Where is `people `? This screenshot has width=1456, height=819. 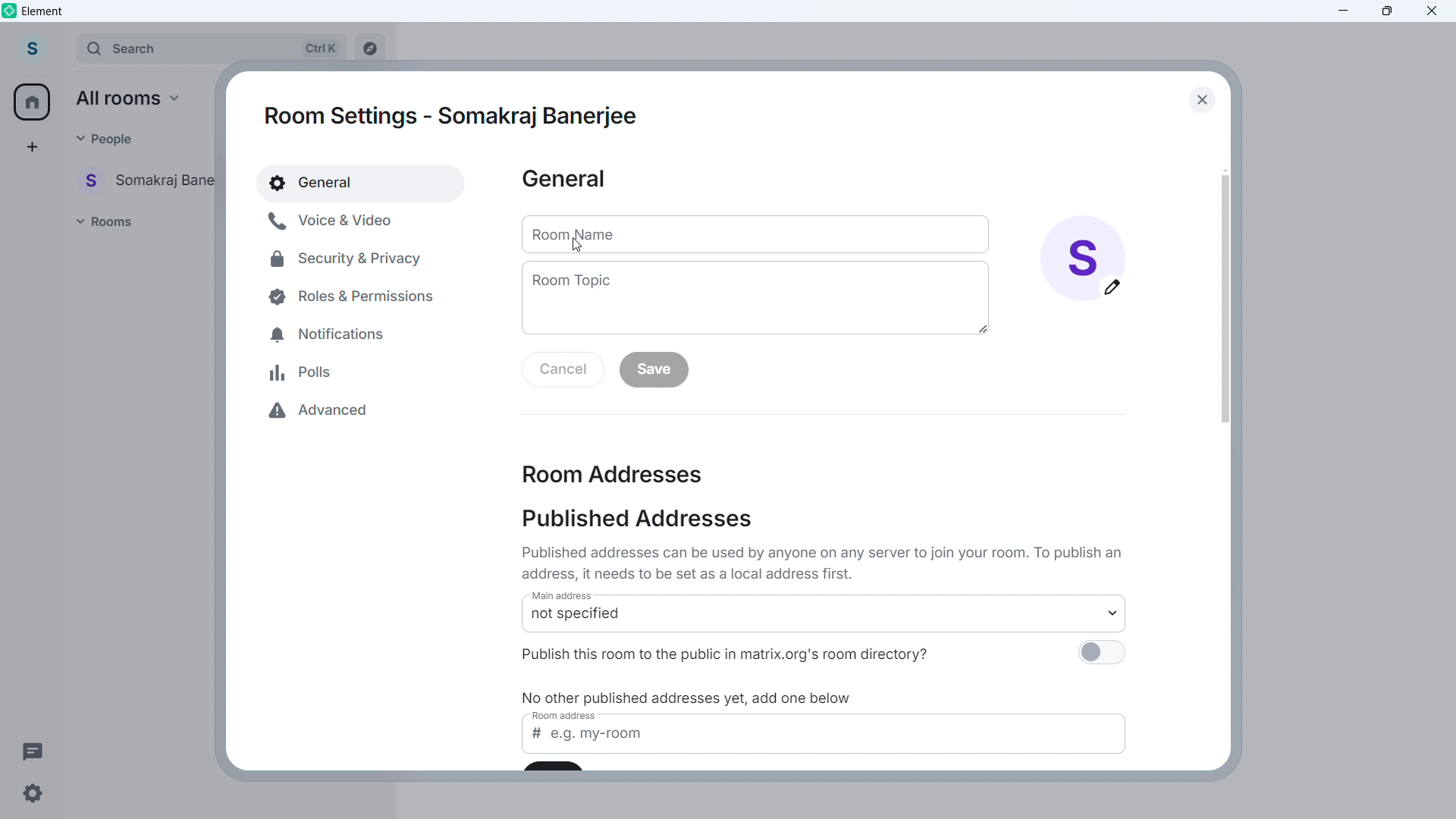
people  is located at coordinates (105, 138).